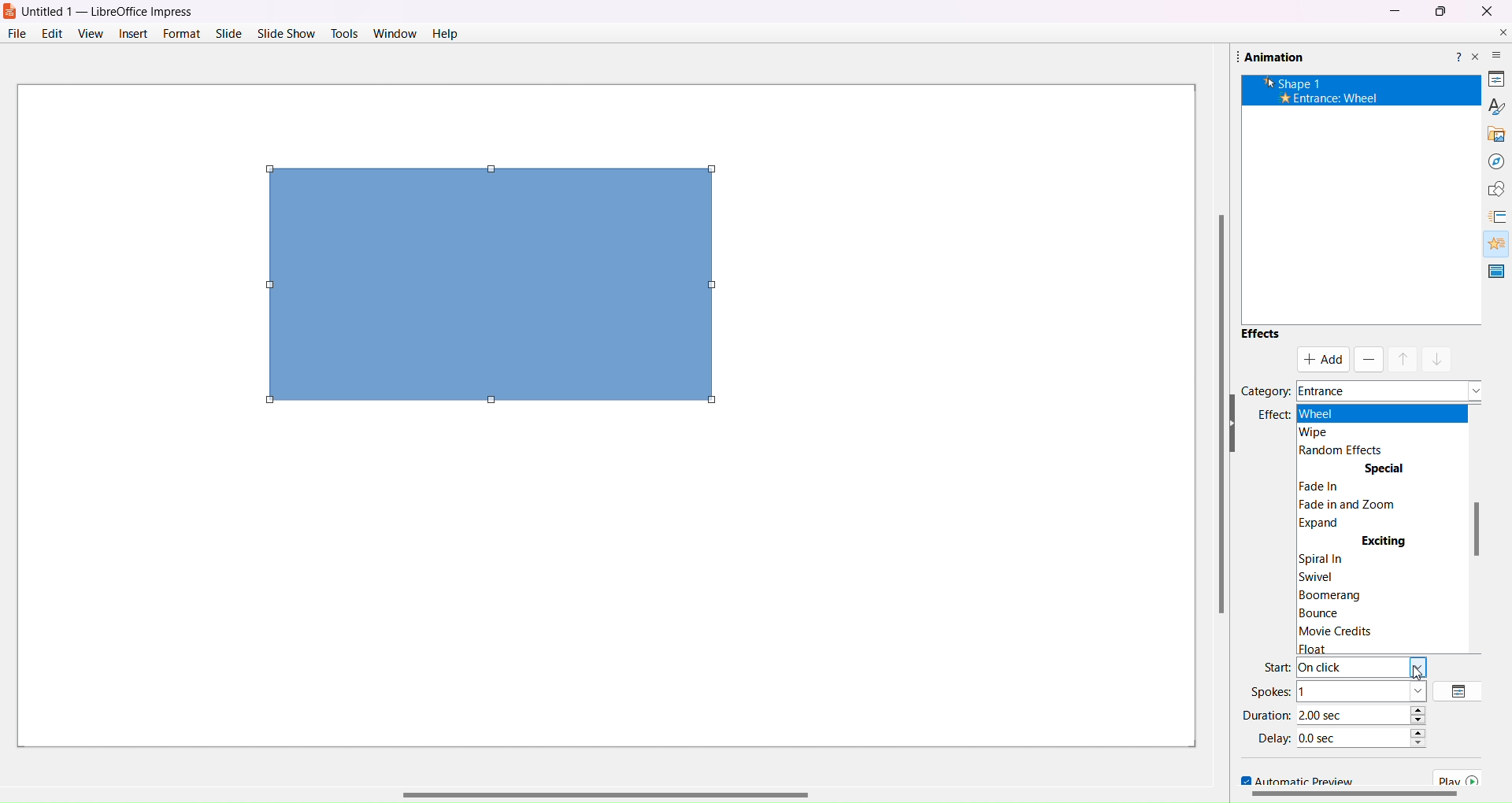 Image resolution: width=1512 pixels, height=803 pixels. Describe the element at coordinates (1352, 796) in the screenshot. I see `Scroll Bar` at that location.